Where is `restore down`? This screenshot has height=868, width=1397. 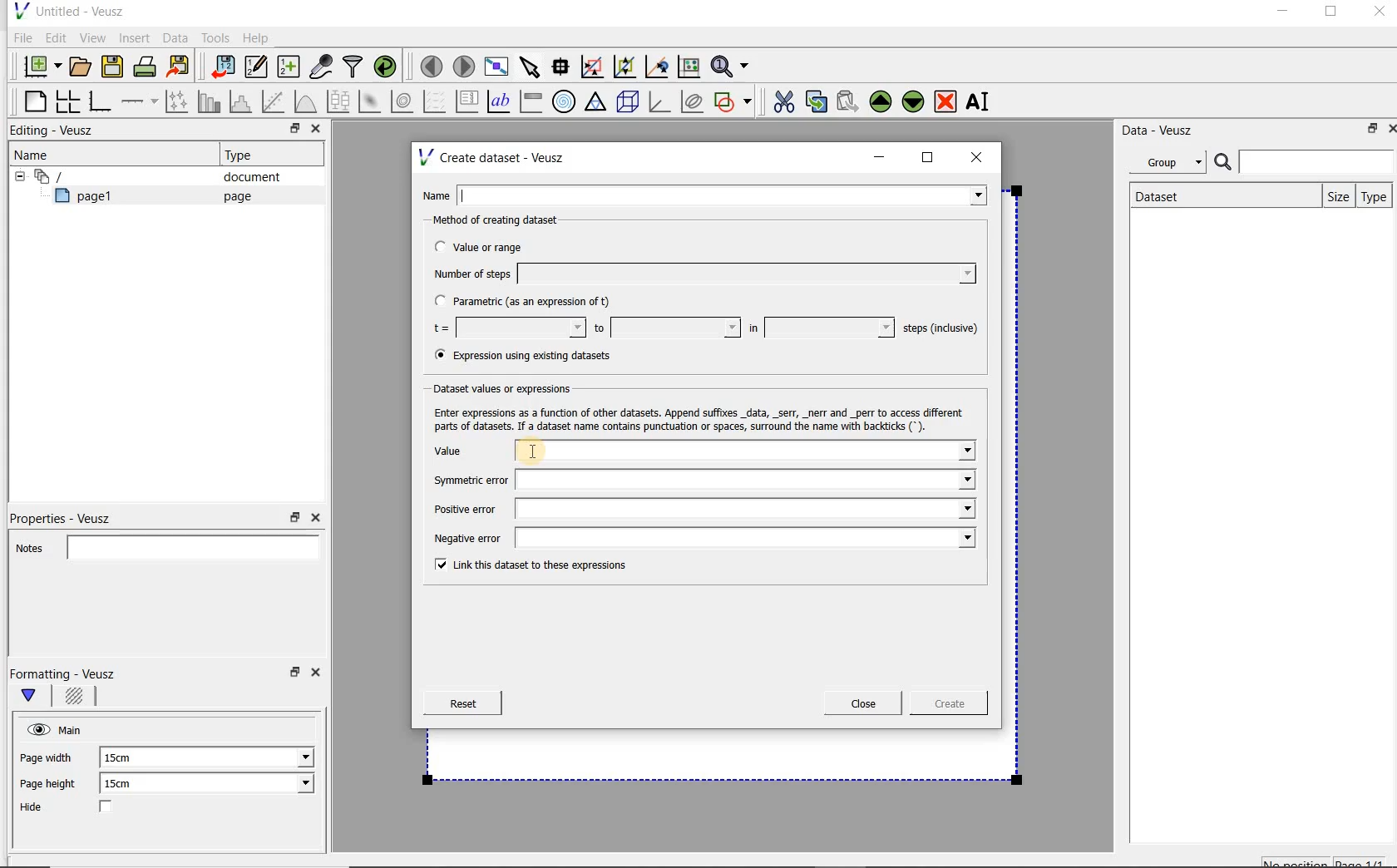 restore down is located at coordinates (1368, 131).